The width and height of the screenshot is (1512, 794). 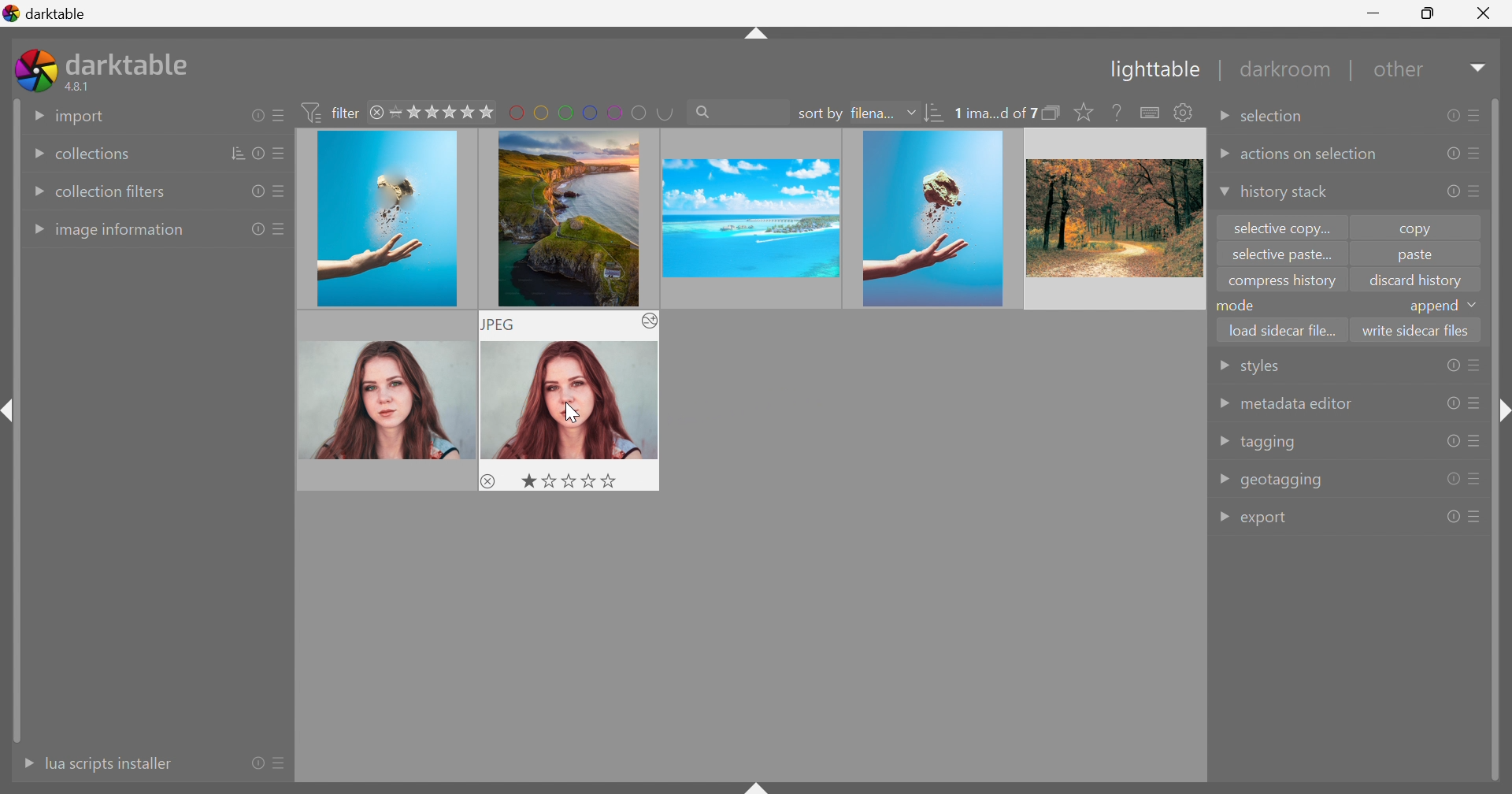 What do you see at coordinates (1453, 480) in the screenshot?
I see `reset` at bounding box center [1453, 480].